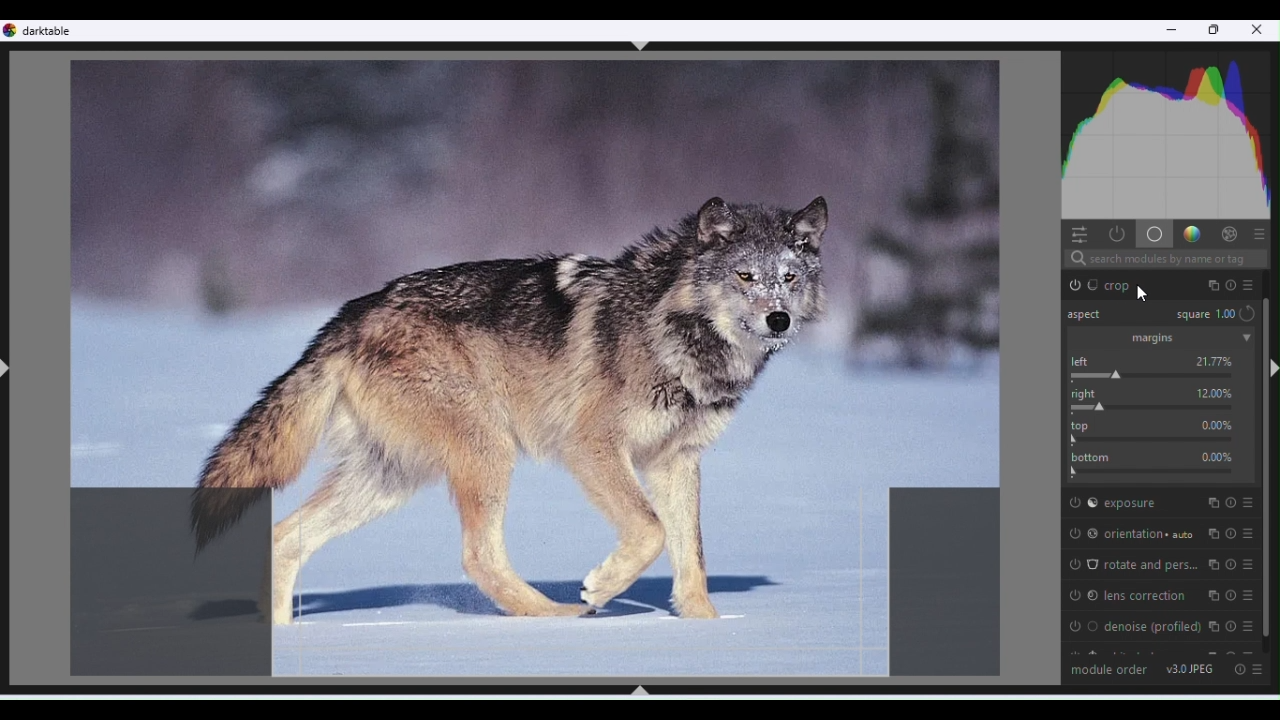  Describe the element at coordinates (1216, 31) in the screenshot. I see `Restore` at that location.